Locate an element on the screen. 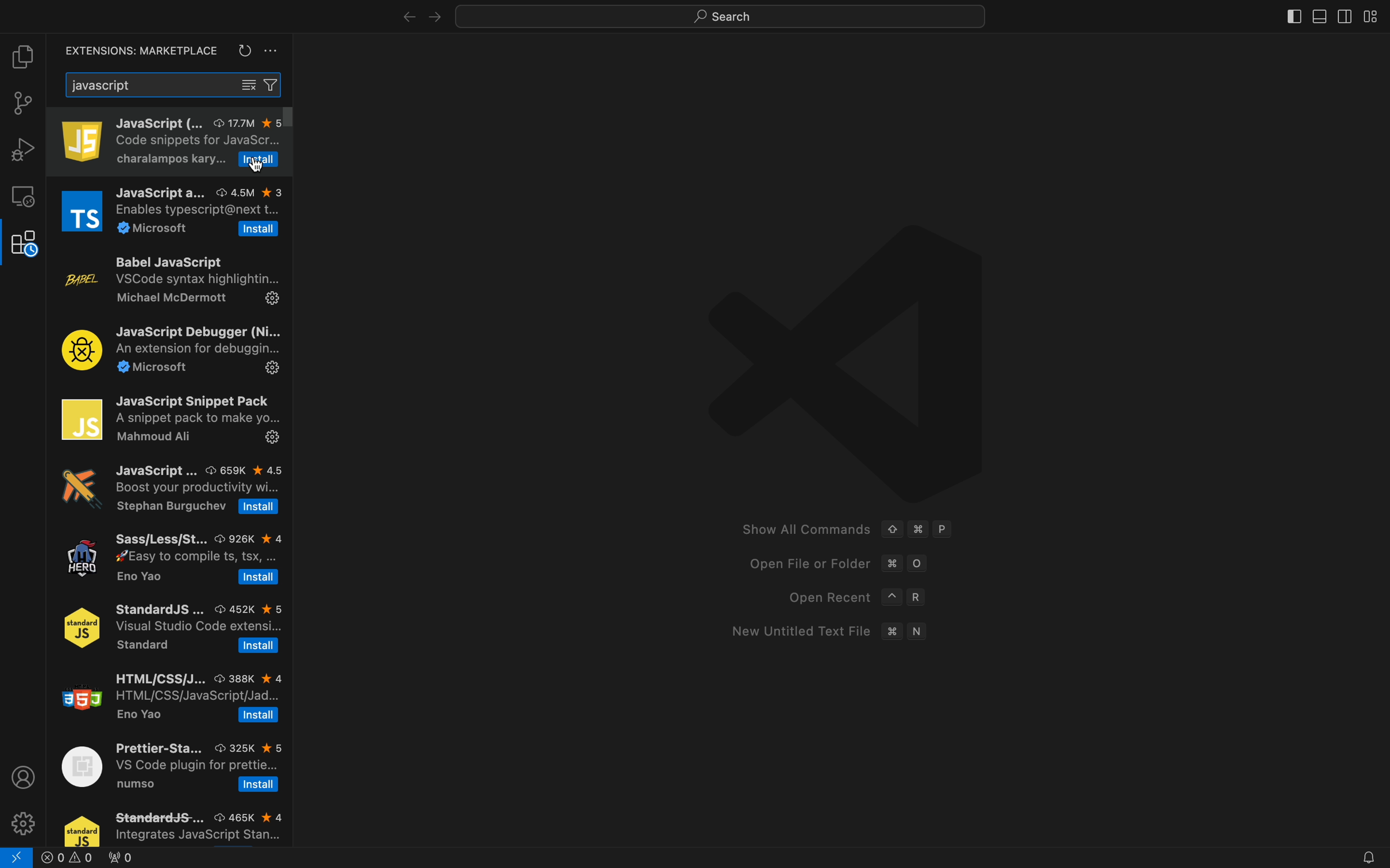 Image resolution: width=1390 pixels, height=868 pixels. VSCode logo is located at coordinates (828, 361).